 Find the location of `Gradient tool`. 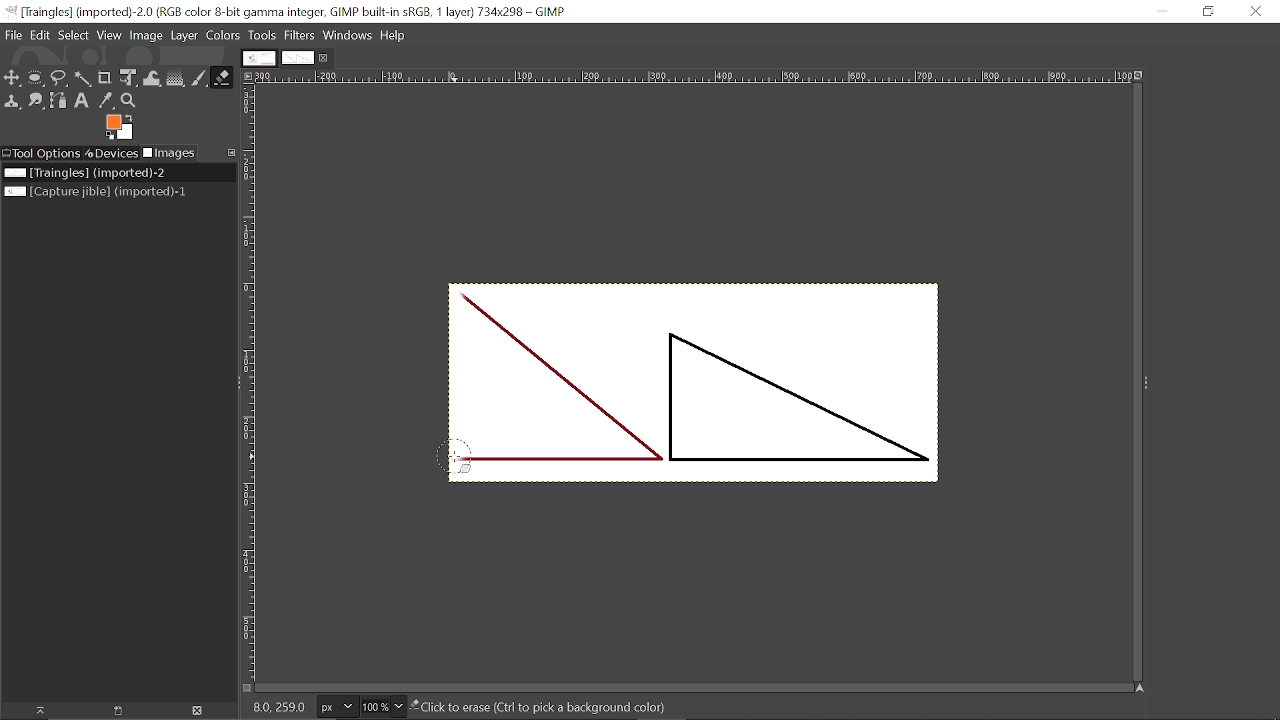

Gradient tool is located at coordinates (176, 78).